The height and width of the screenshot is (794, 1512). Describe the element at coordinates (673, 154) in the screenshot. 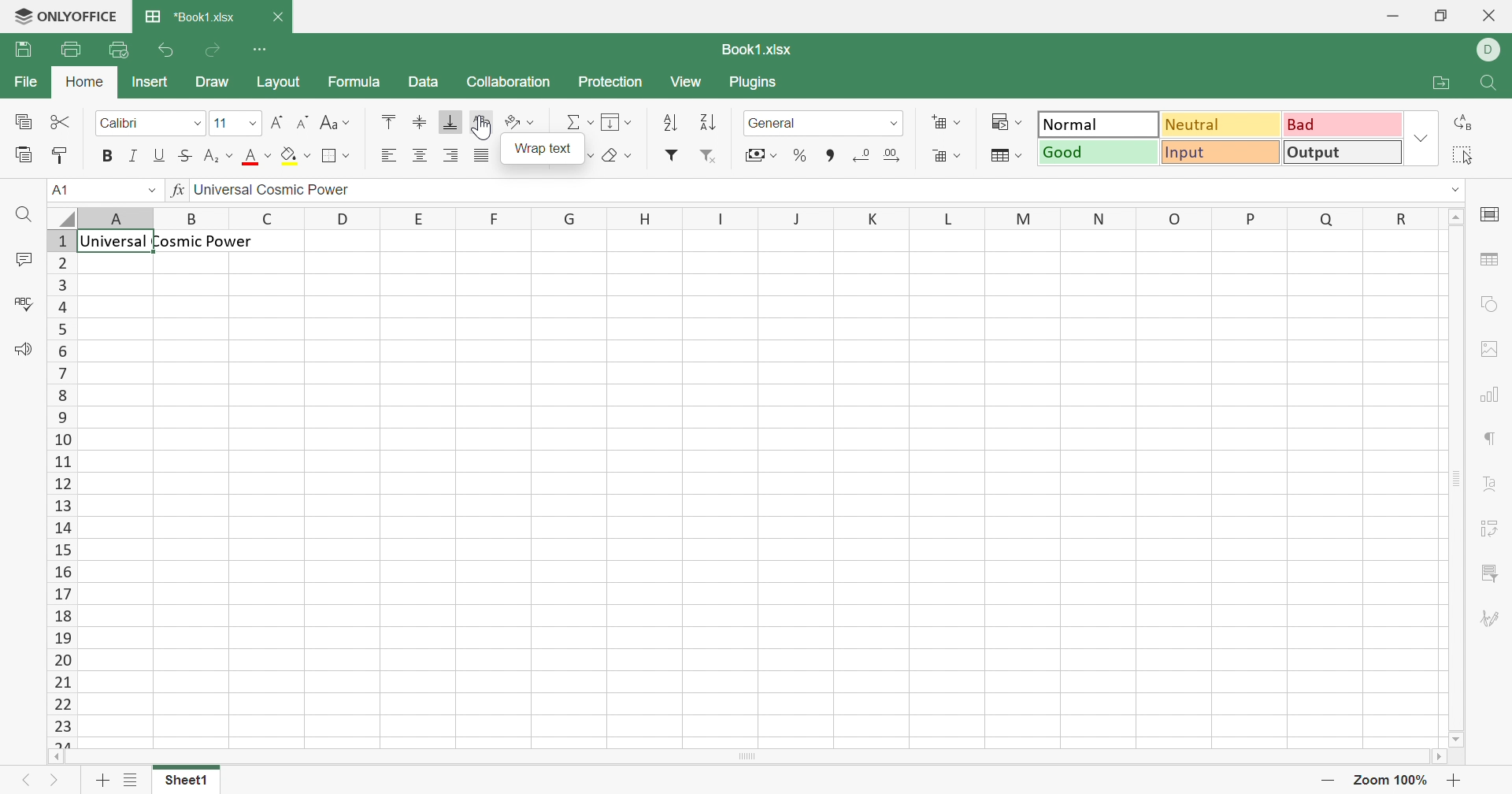

I see `Insert Filter` at that location.